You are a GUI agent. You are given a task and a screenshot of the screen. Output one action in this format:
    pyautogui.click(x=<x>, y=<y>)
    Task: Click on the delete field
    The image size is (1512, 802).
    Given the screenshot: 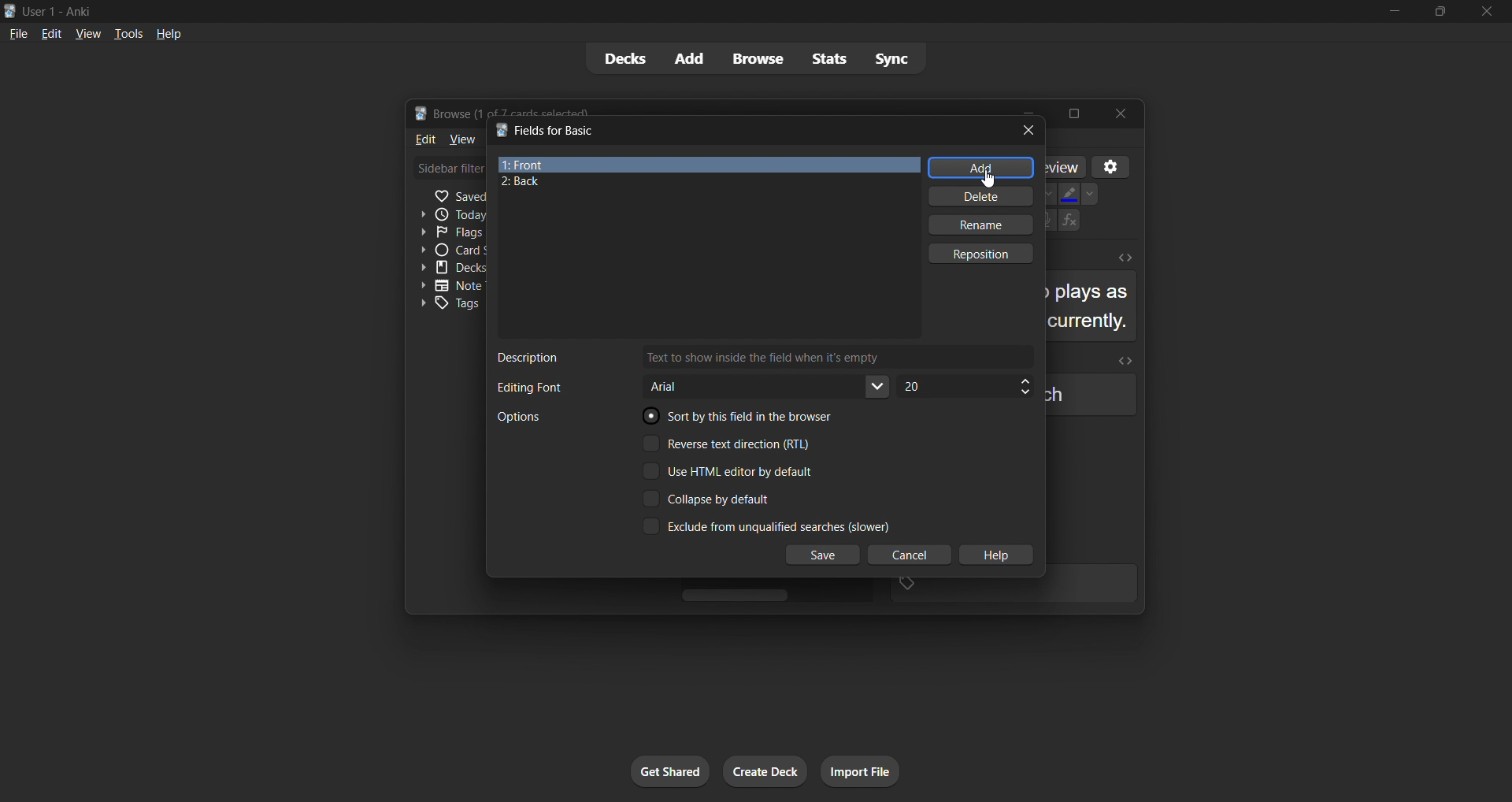 What is the action you would take?
    pyautogui.click(x=977, y=198)
    